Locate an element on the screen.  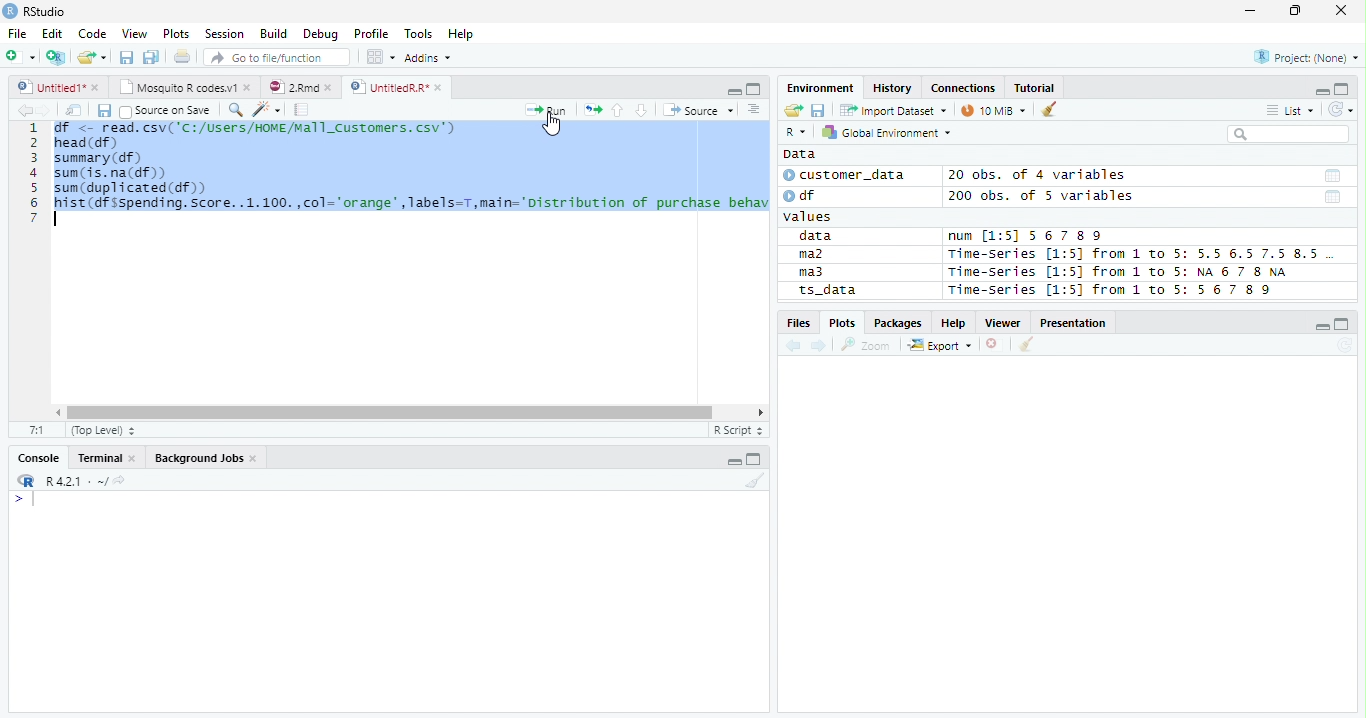
data is located at coordinates (819, 237).